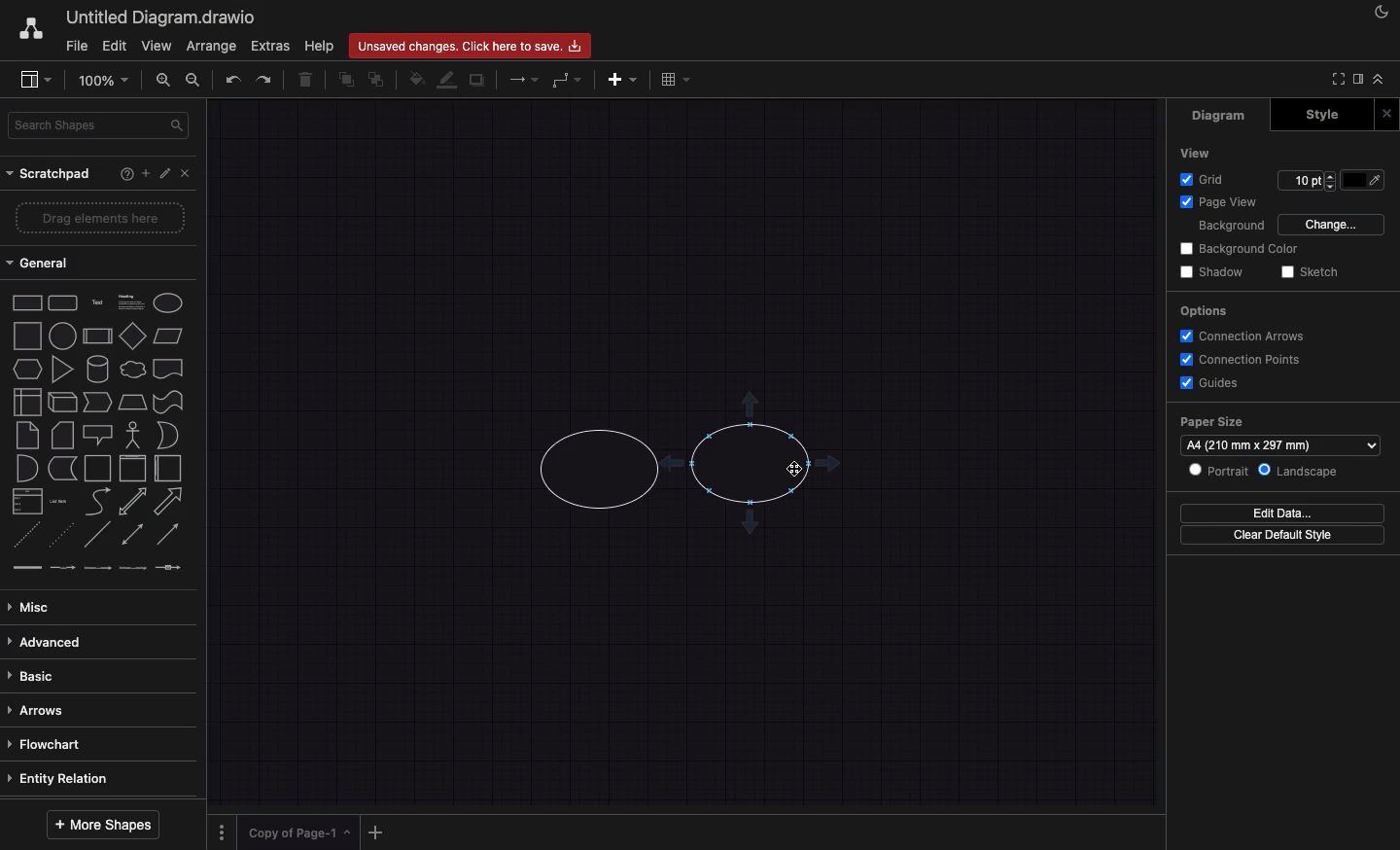 The height and width of the screenshot is (850, 1400). What do you see at coordinates (145, 173) in the screenshot?
I see `add` at bounding box center [145, 173].